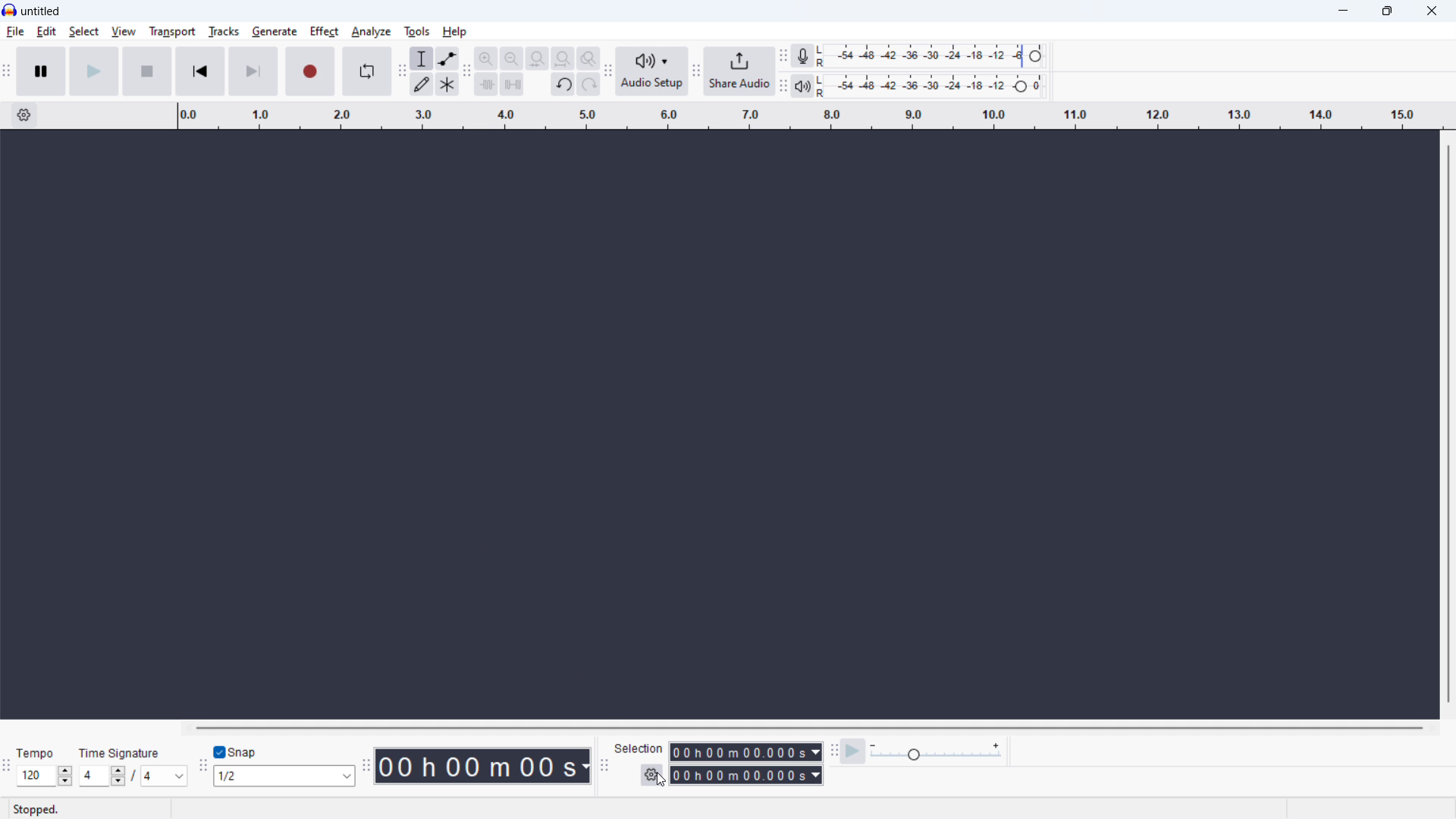  Describe the element at coordinates (1448, 424) in the screenshot. I see `vertical scrollbar` at that location.